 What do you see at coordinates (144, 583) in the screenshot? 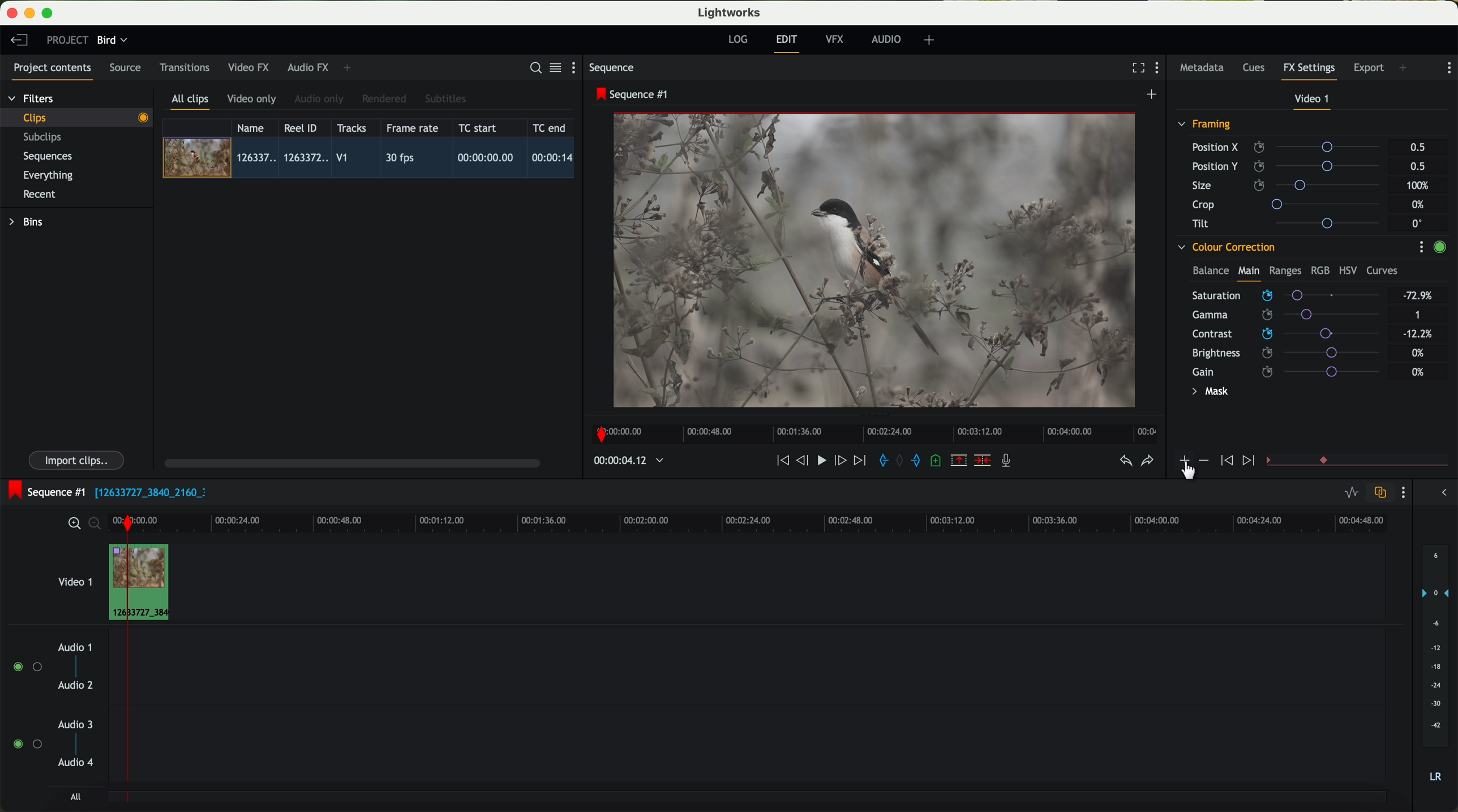
I see `drag video to video track 1` at bounding box center [144, 583].